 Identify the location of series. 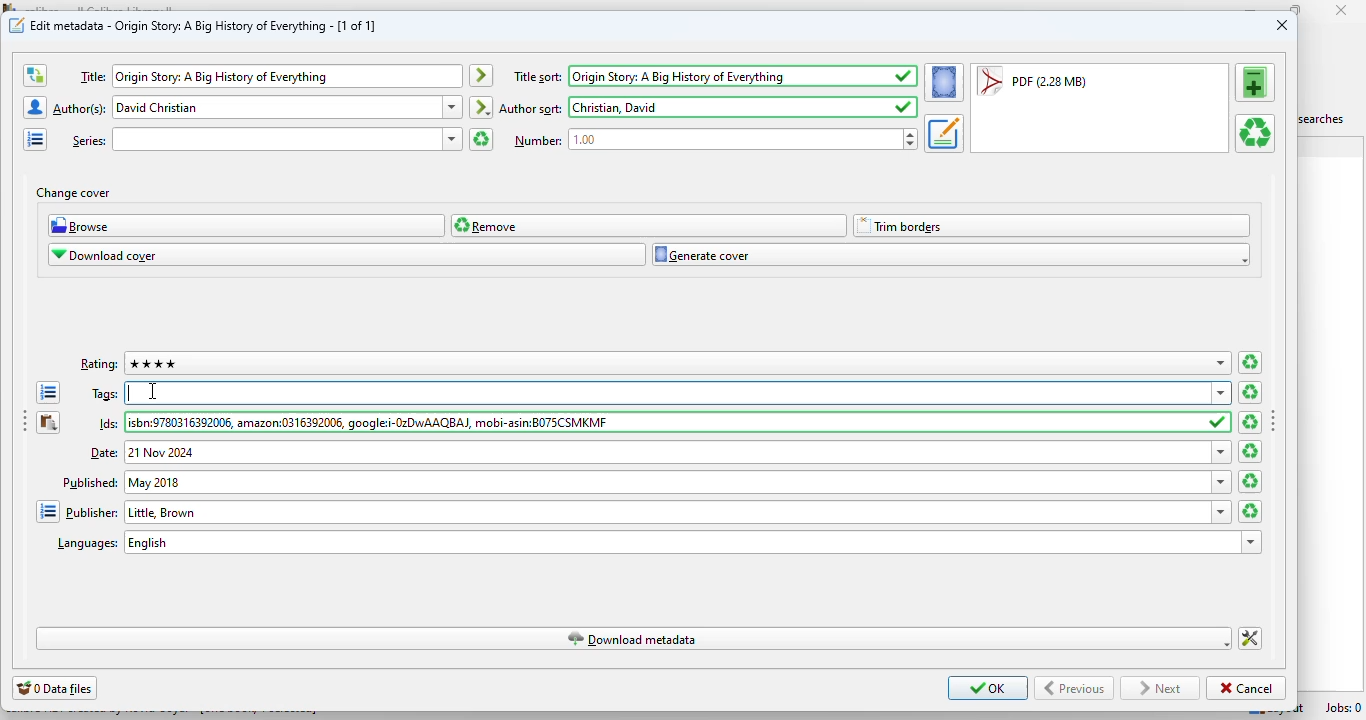
(277, 139).